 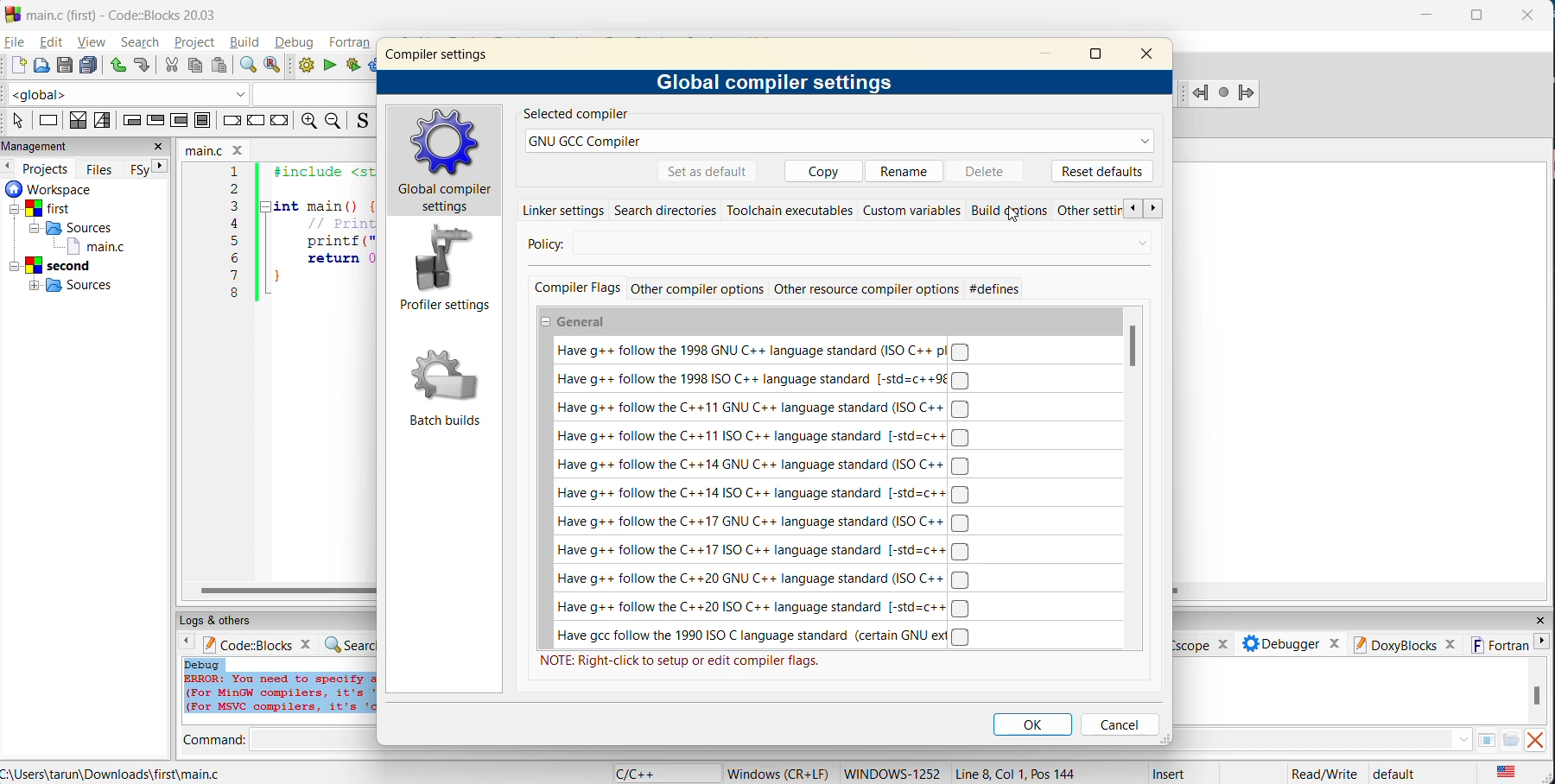 I want to click on previous, so click(x=1127, y=208).